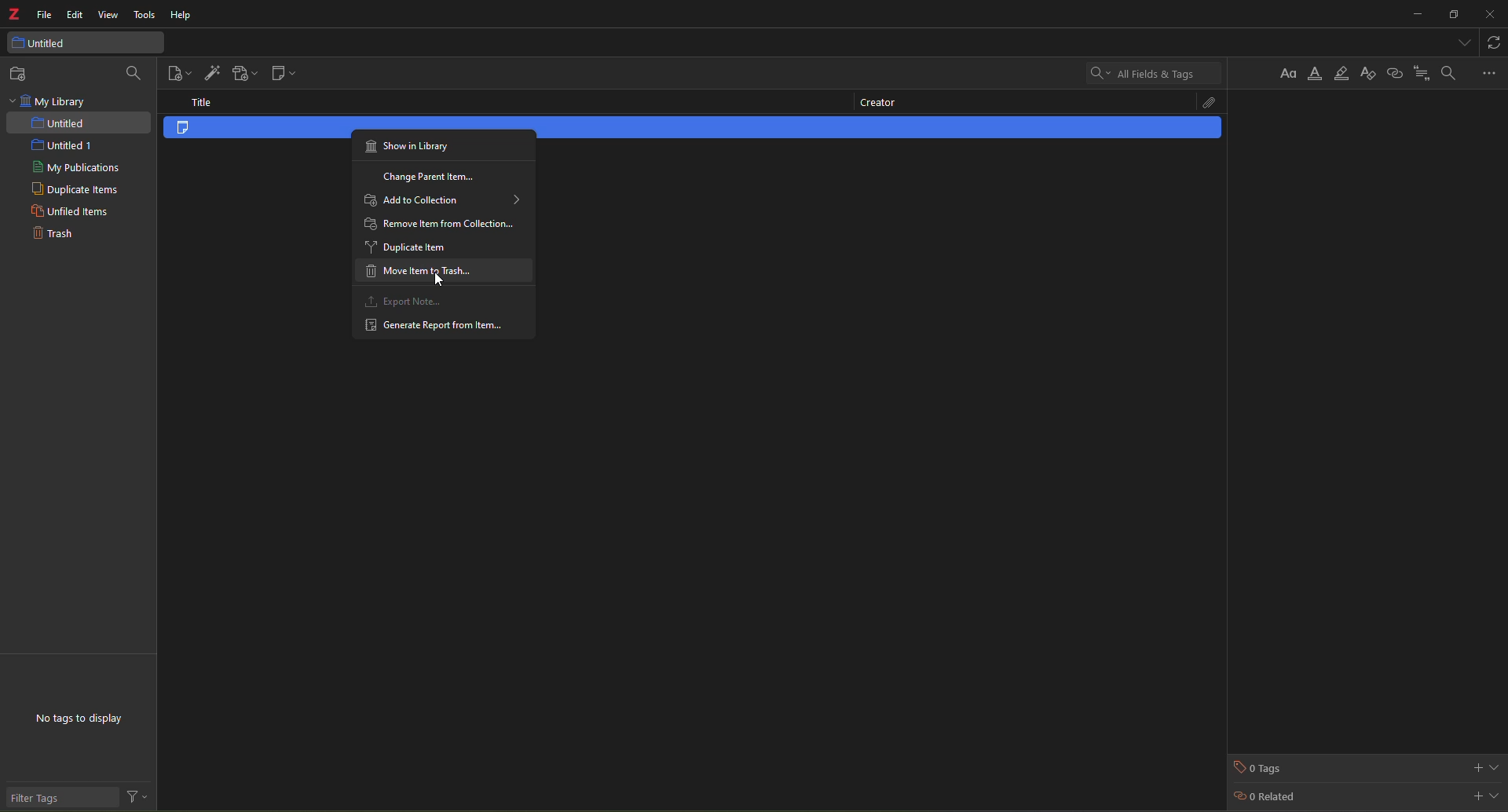  I want to click on generate report from item, so click(433, 327).